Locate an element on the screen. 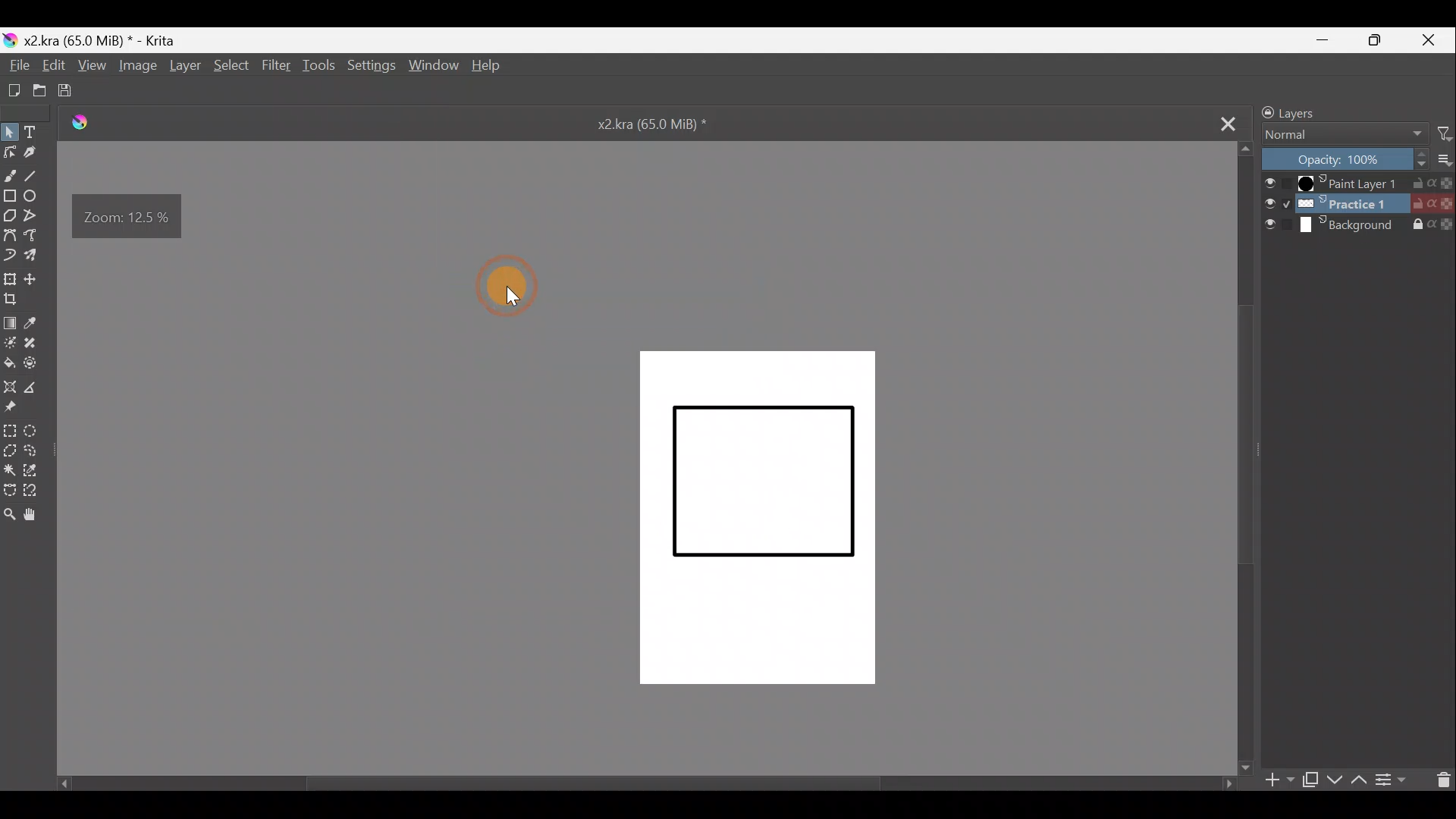 This screenshot has height=819, width=1456. Polygon tool is located at coordinates (10, 215).